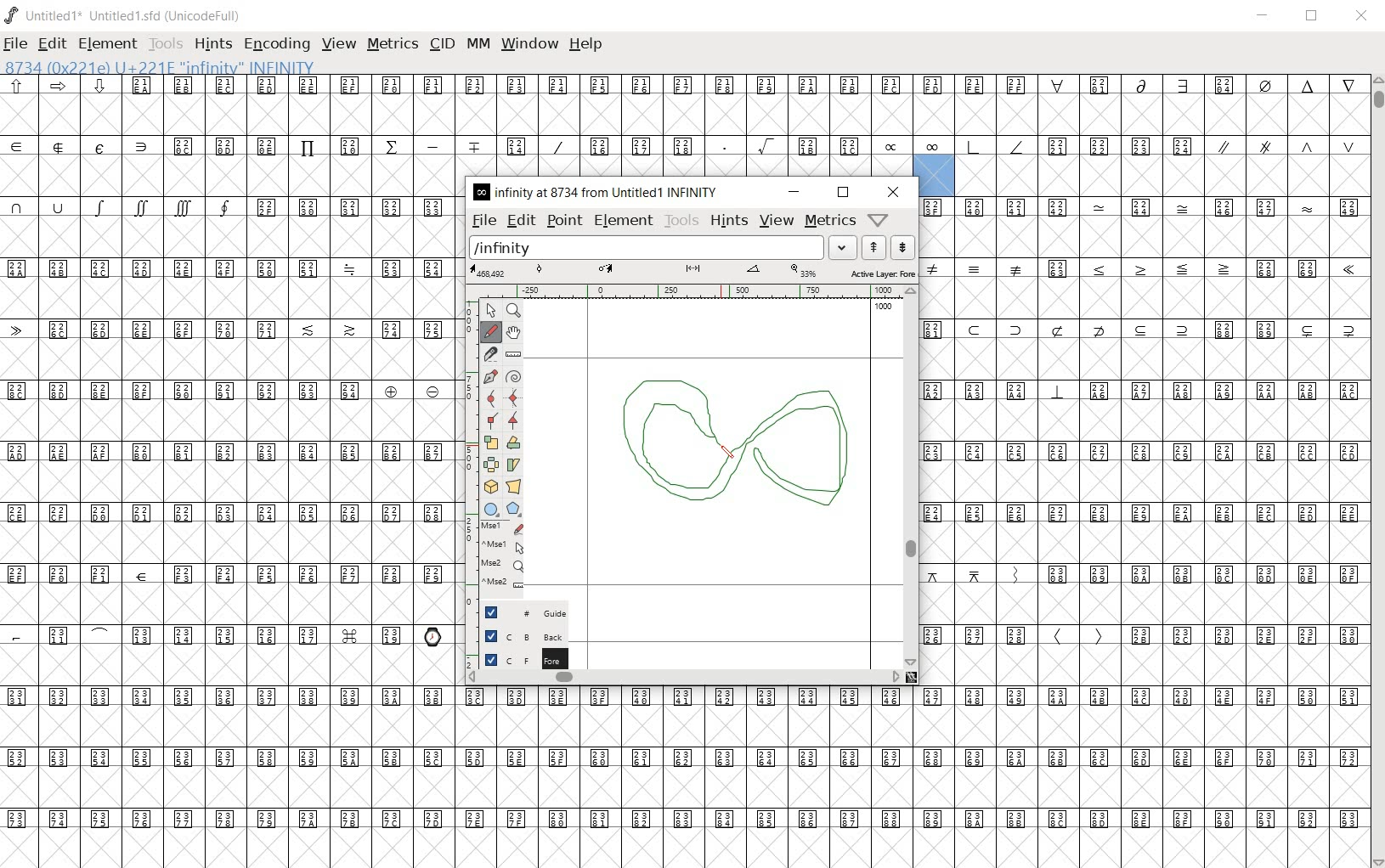 The image size is (1385, 868). Describe the element at coordinates (1309, 206) in the screenshot. I see `symbol` at that location.